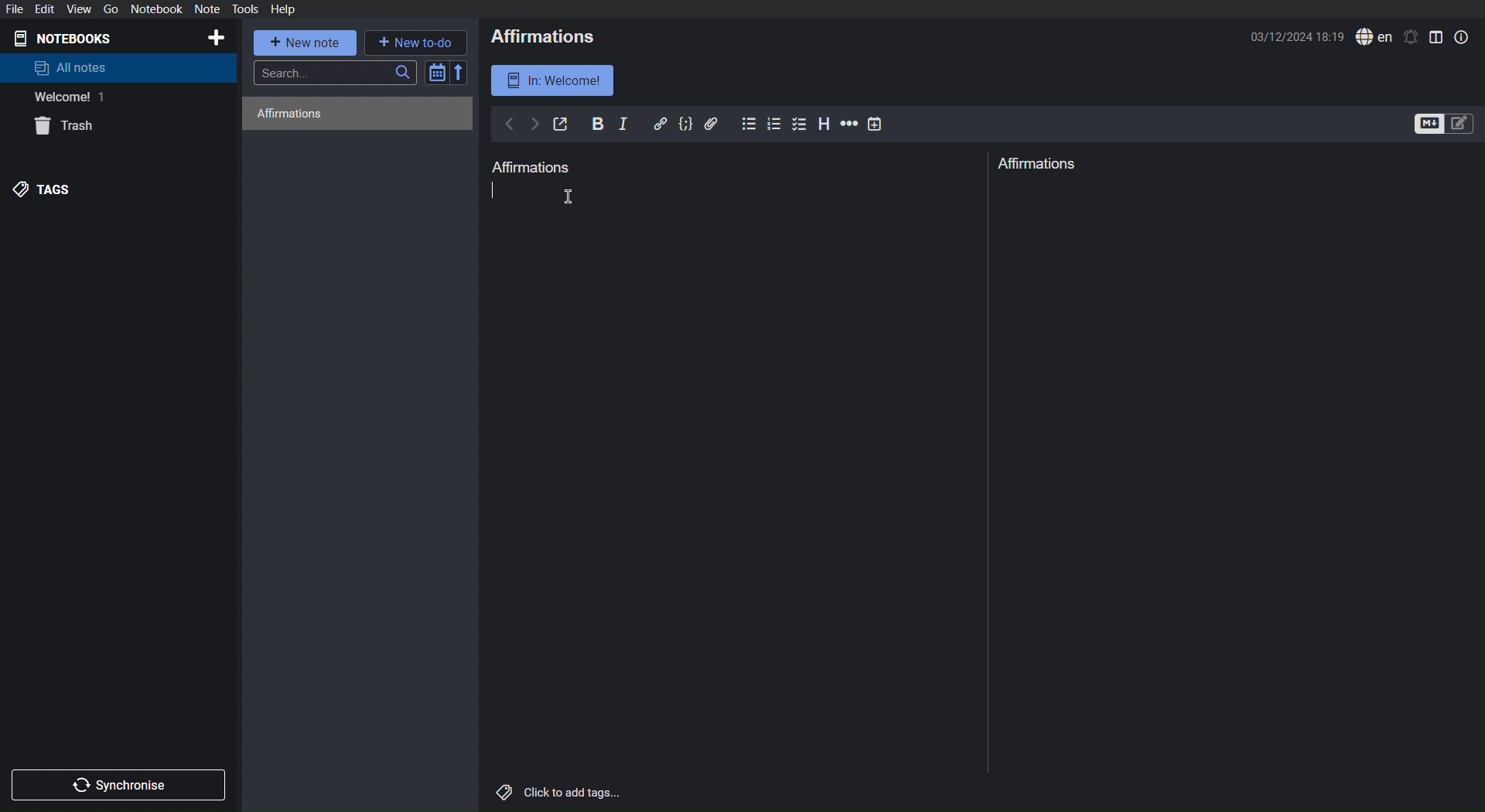 Image resolution: width=1485 pixels, height=812 pixels. Describe the element at coordinates (824, 124) in the screenshot. I see `Heading` at that location.